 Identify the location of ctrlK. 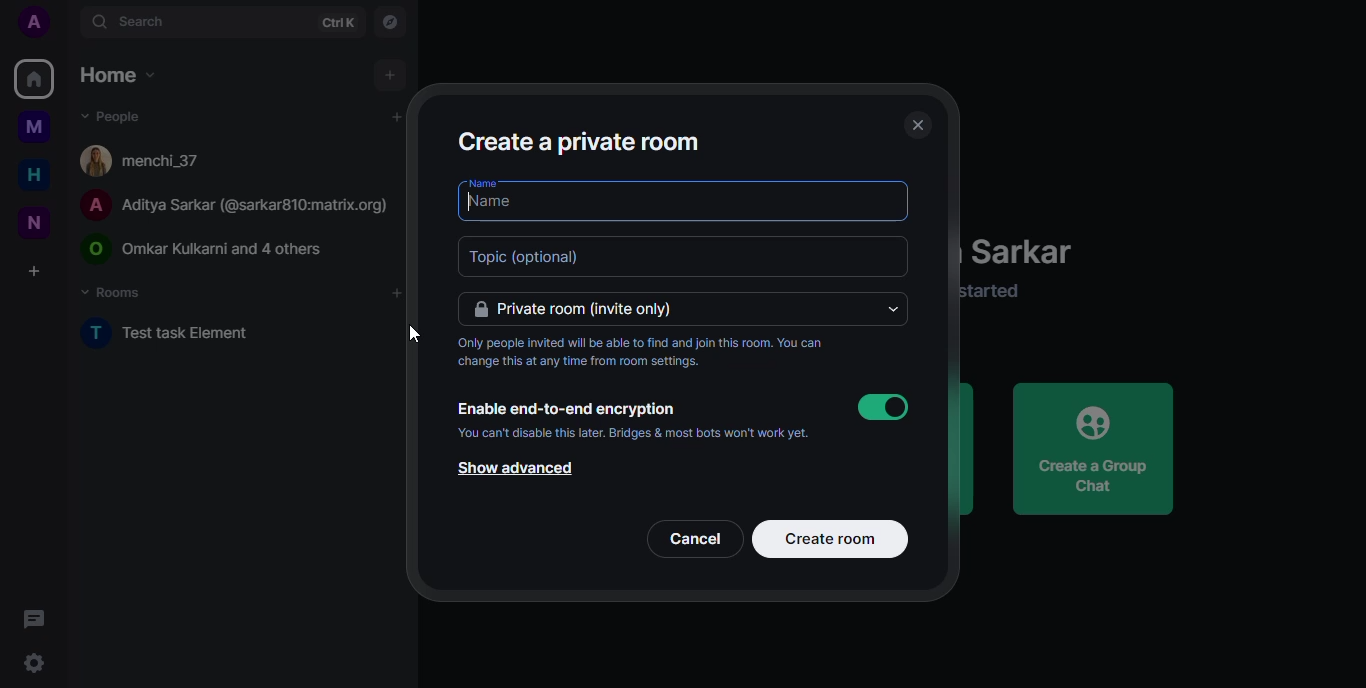
(339, 22).